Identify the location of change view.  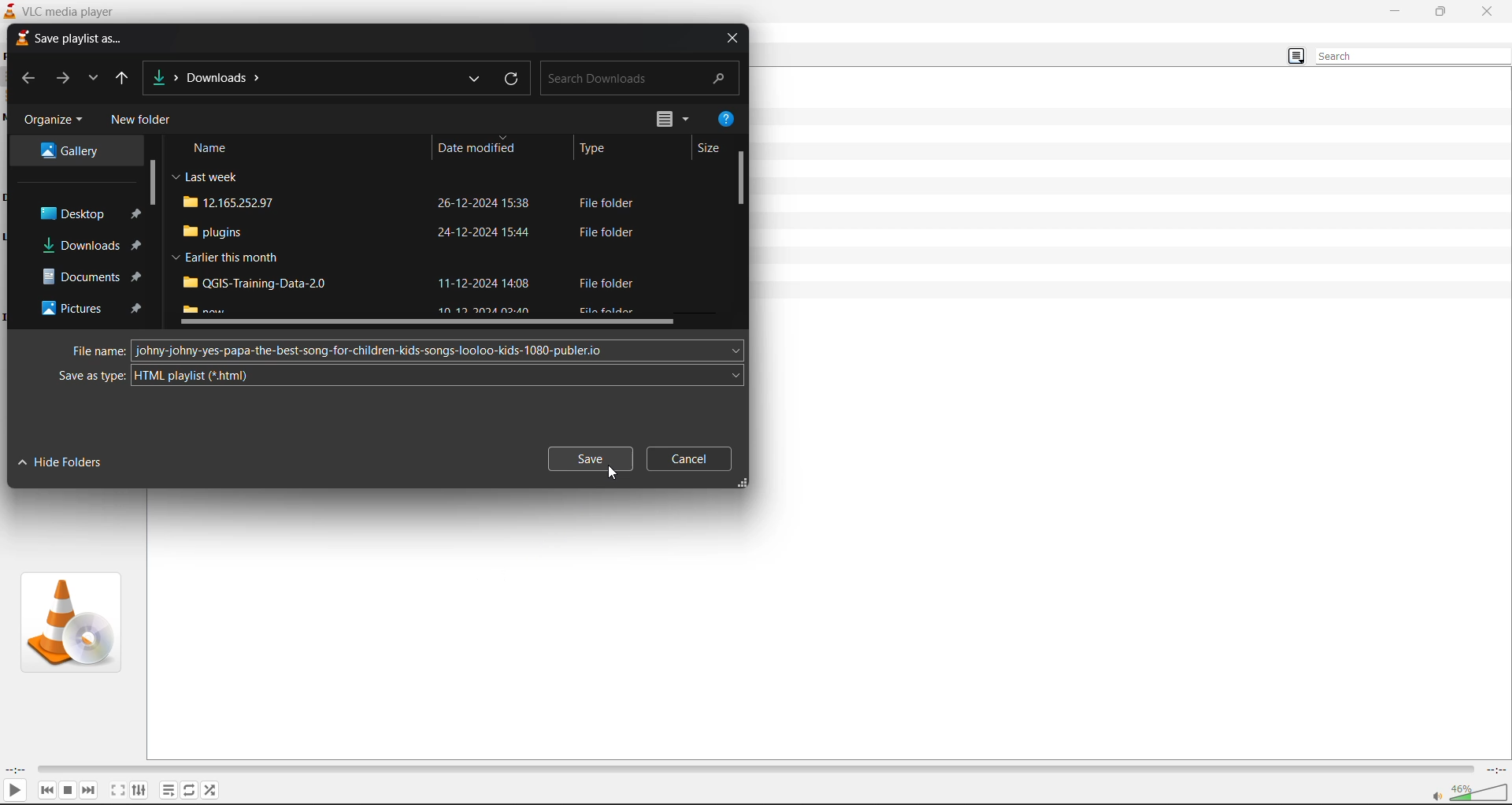
(1293, 57).